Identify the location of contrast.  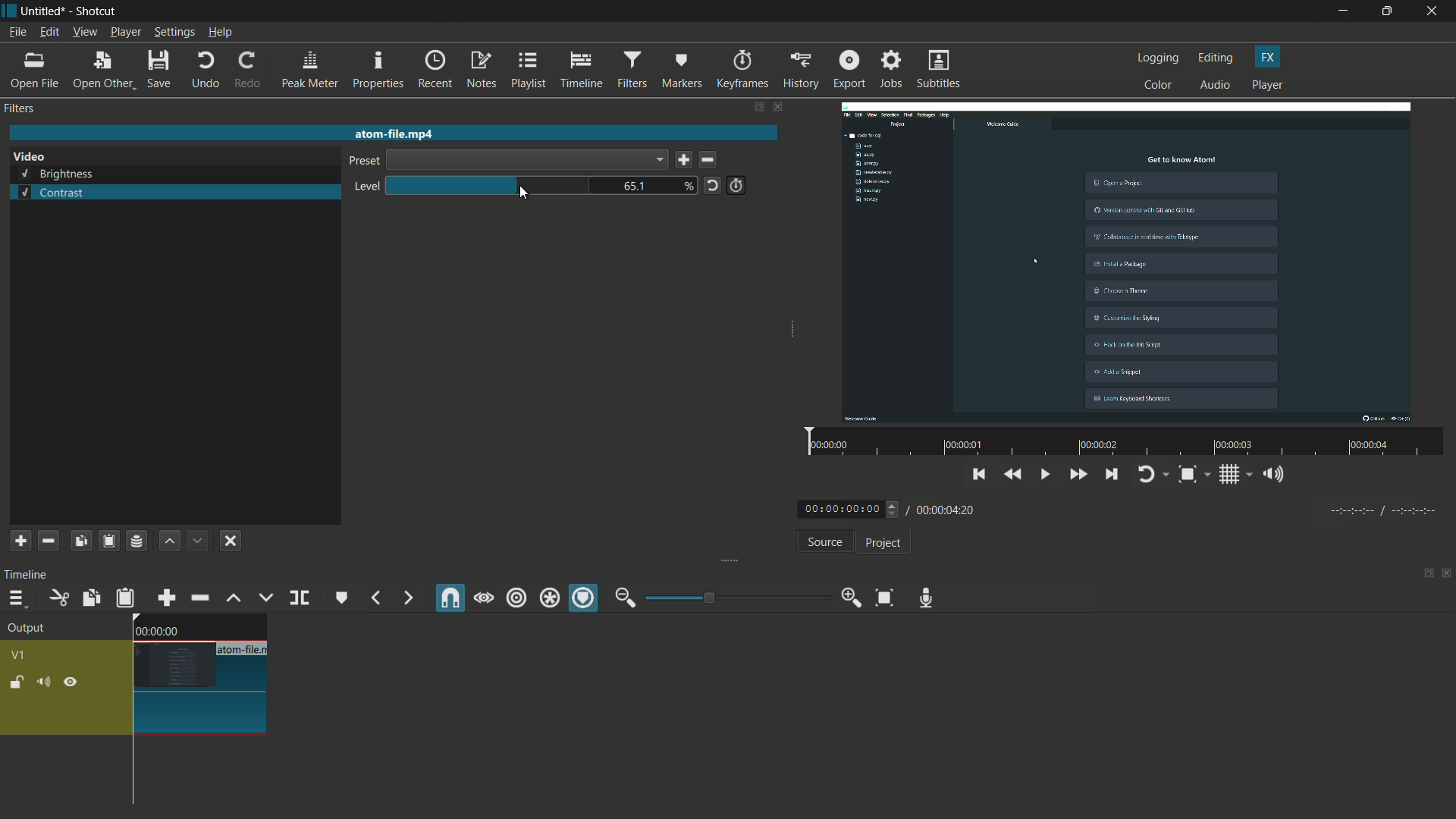
(51, 193).